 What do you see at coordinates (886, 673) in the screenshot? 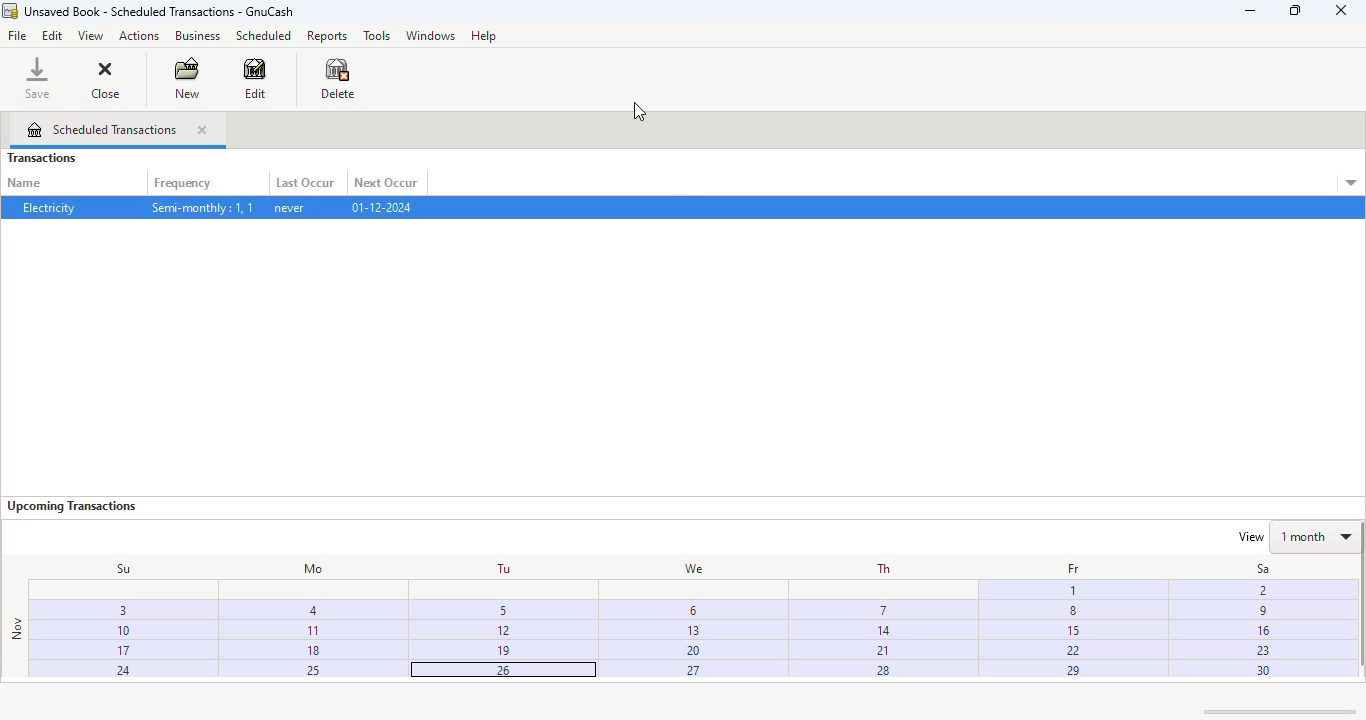
I see `28` at bounding box center [886, 673].